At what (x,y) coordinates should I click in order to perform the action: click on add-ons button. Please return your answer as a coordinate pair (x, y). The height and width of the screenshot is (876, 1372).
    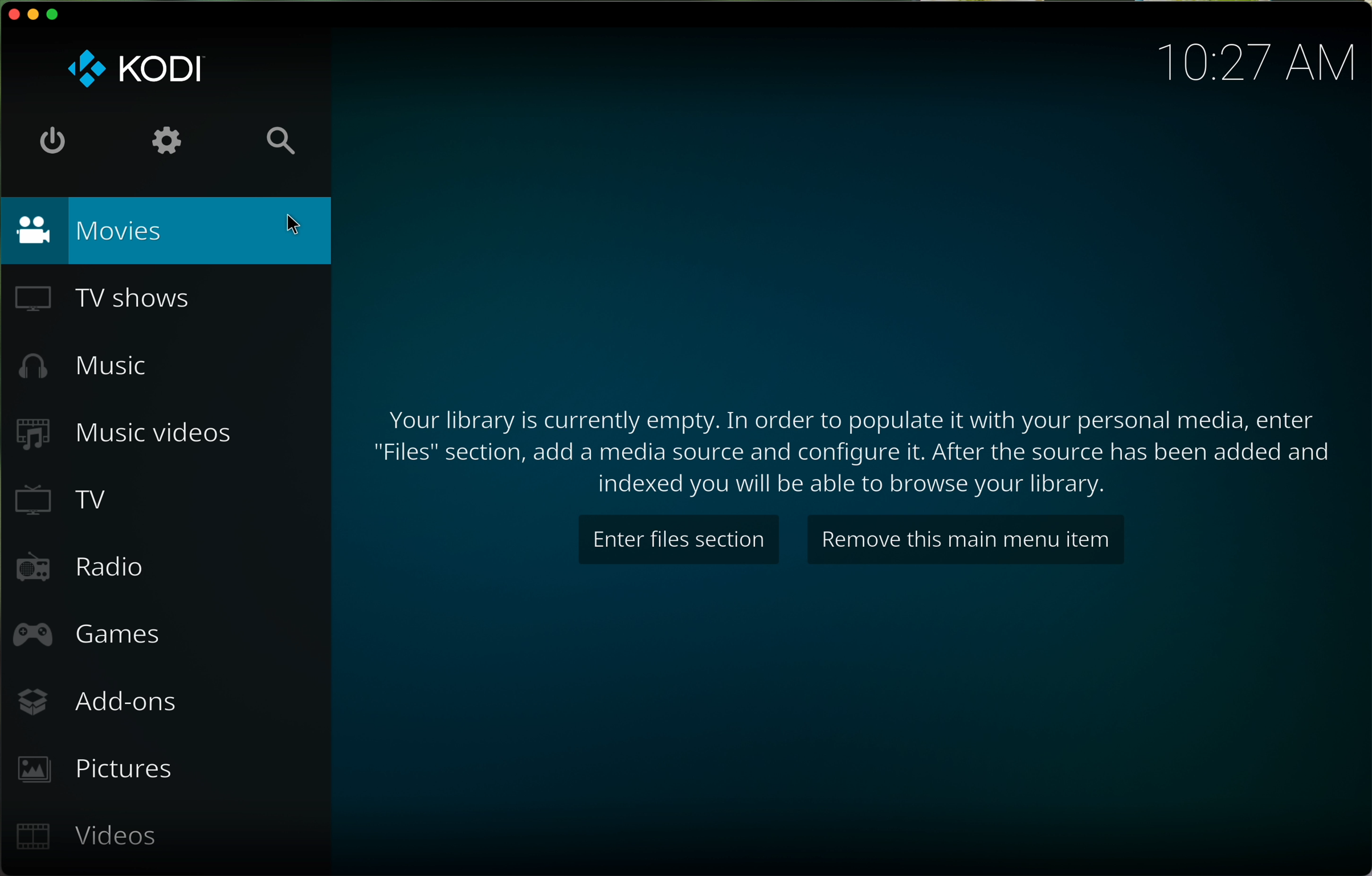
    Looking at the image, I should click on (99, 704).